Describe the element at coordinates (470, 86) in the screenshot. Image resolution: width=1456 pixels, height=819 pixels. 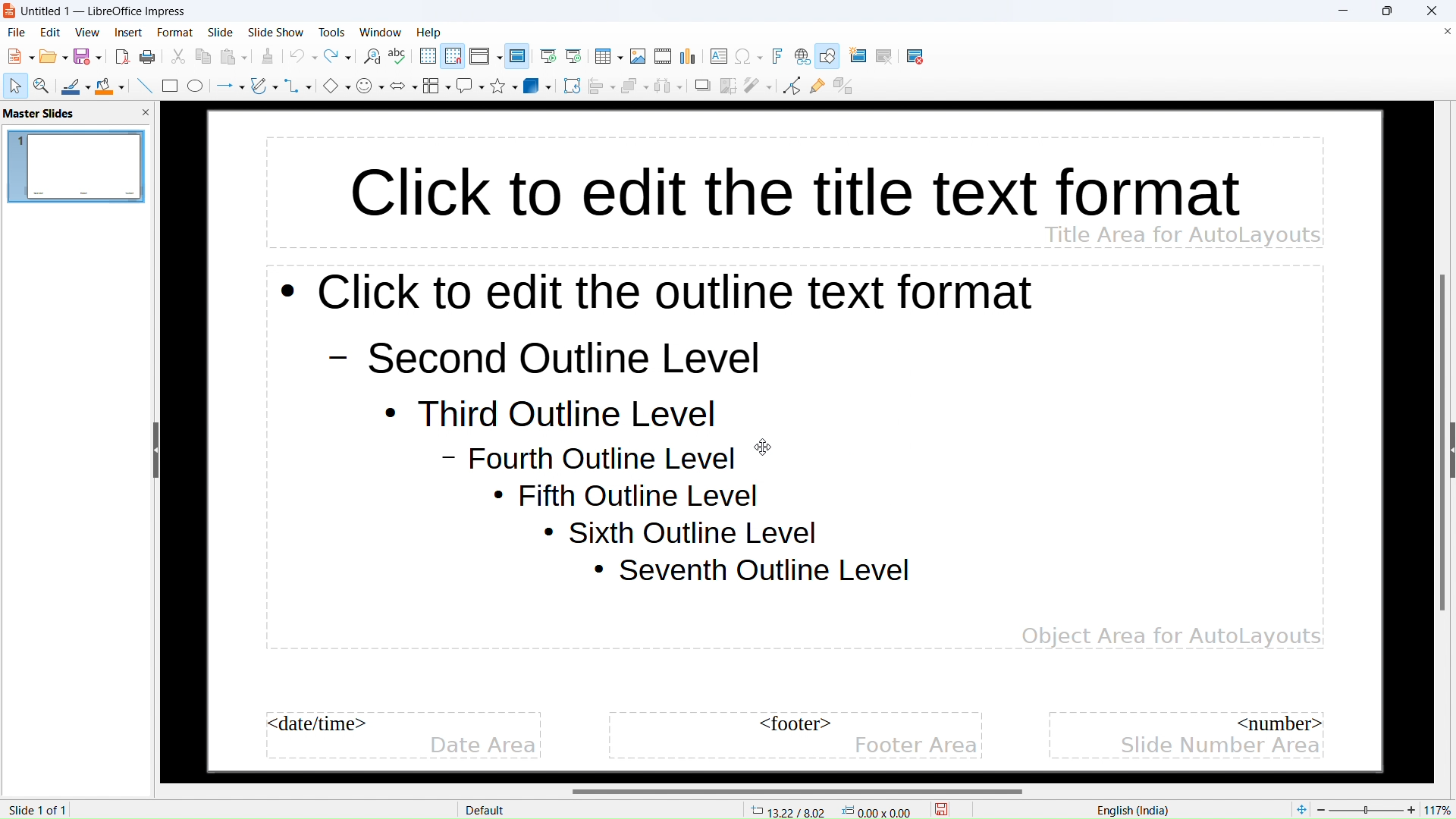
I see `callout shapes` at that location.